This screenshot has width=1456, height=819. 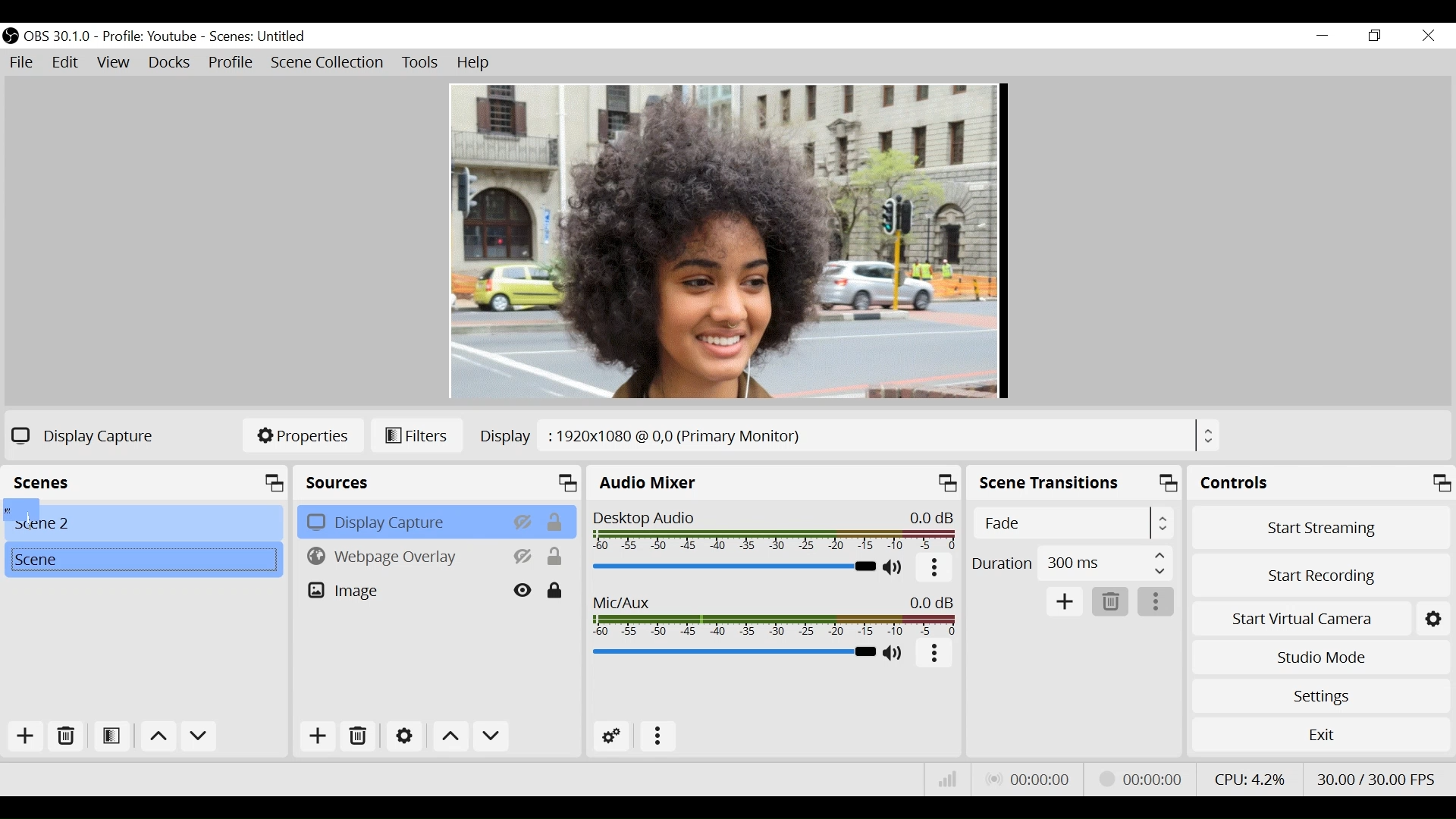 What do you see at coordinates (450, 736) in the screenshot?
I see `Move up` at bounding box center [450, 736].